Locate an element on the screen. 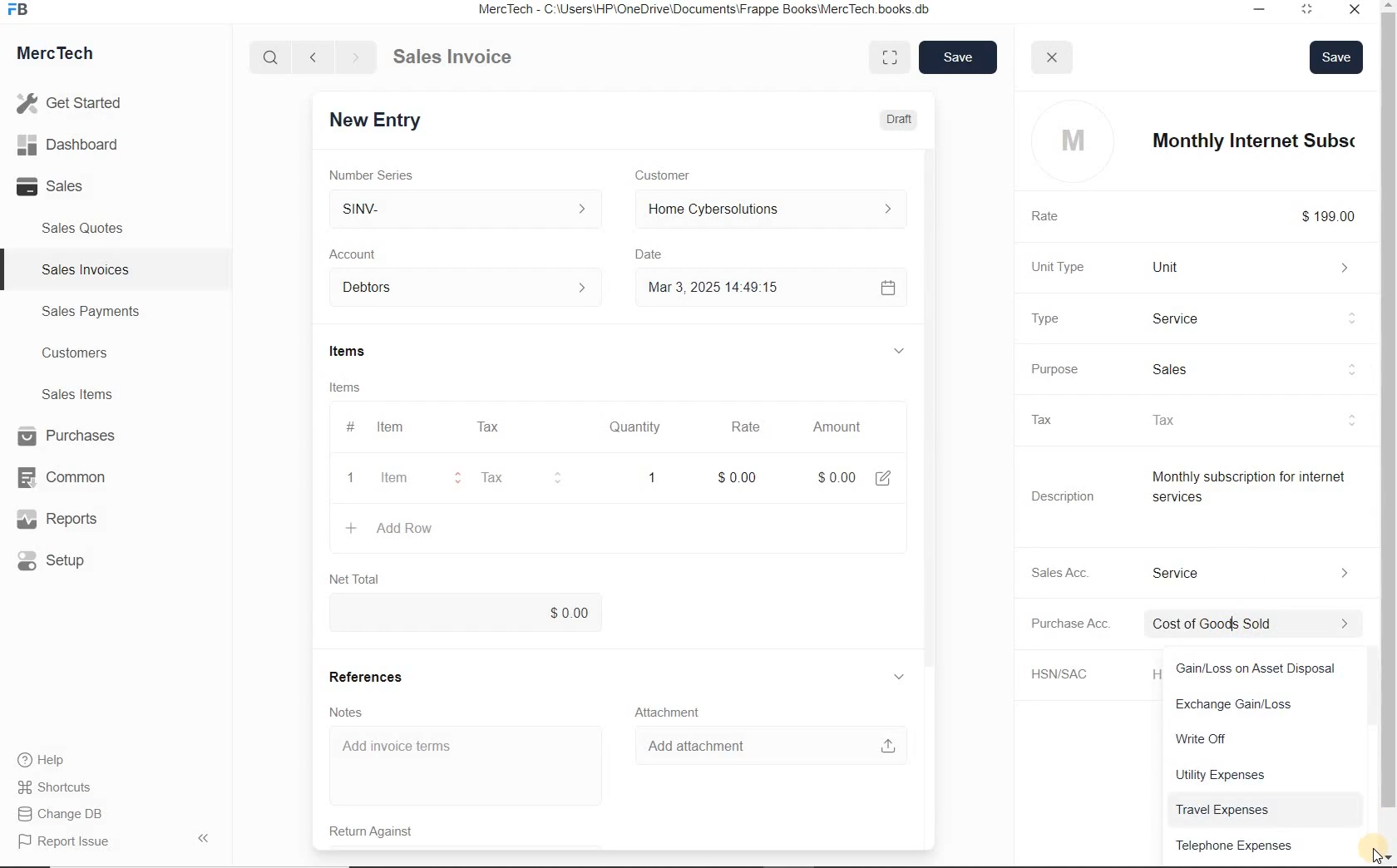 The width and height of the screenshot is (1397, 868). Minimize is located at coordinates (1261, 12).